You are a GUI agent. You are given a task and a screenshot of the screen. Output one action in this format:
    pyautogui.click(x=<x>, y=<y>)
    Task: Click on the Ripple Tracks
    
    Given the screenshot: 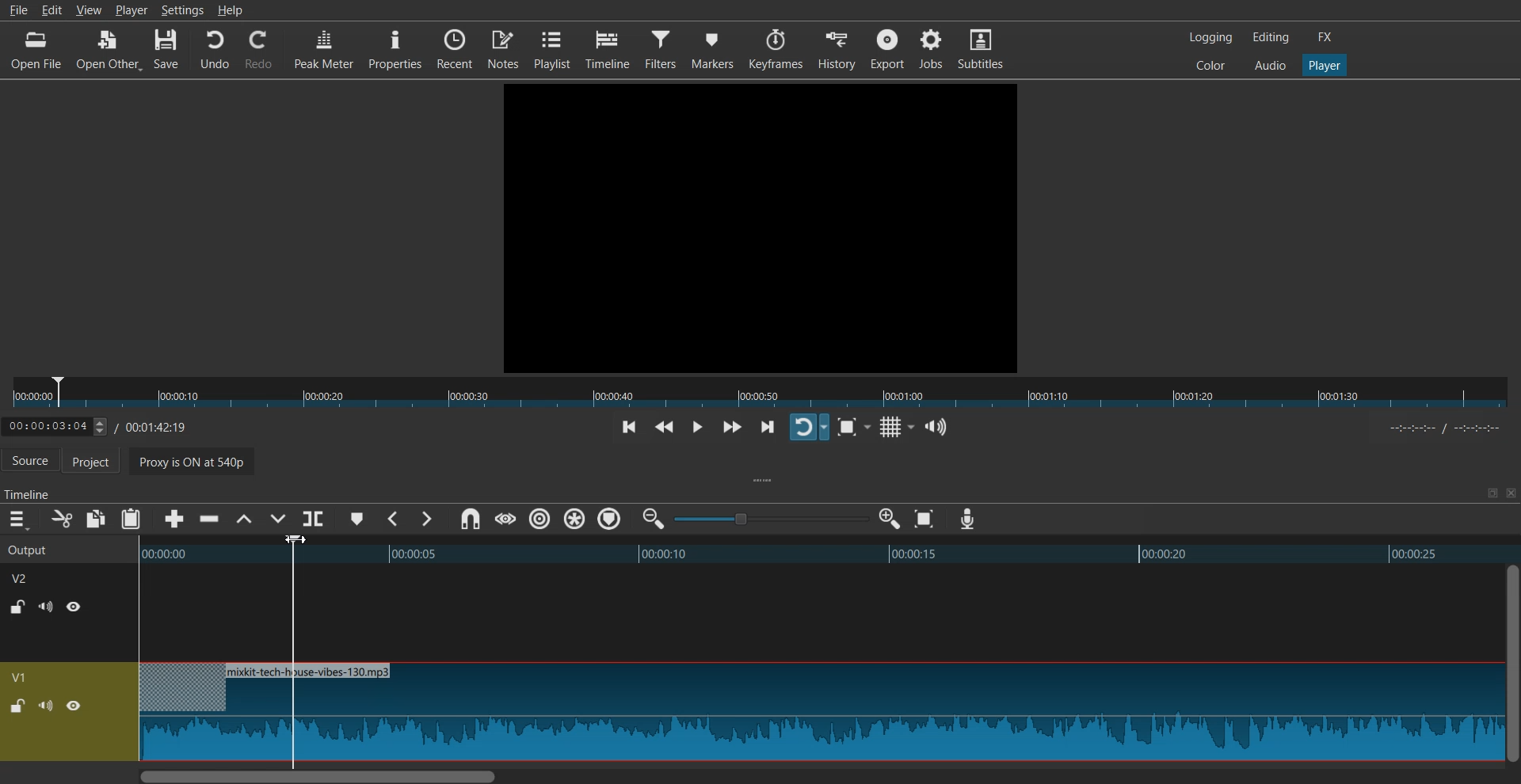 What is the action you would take?
    pyautogui.click(x=611, y=519)
    